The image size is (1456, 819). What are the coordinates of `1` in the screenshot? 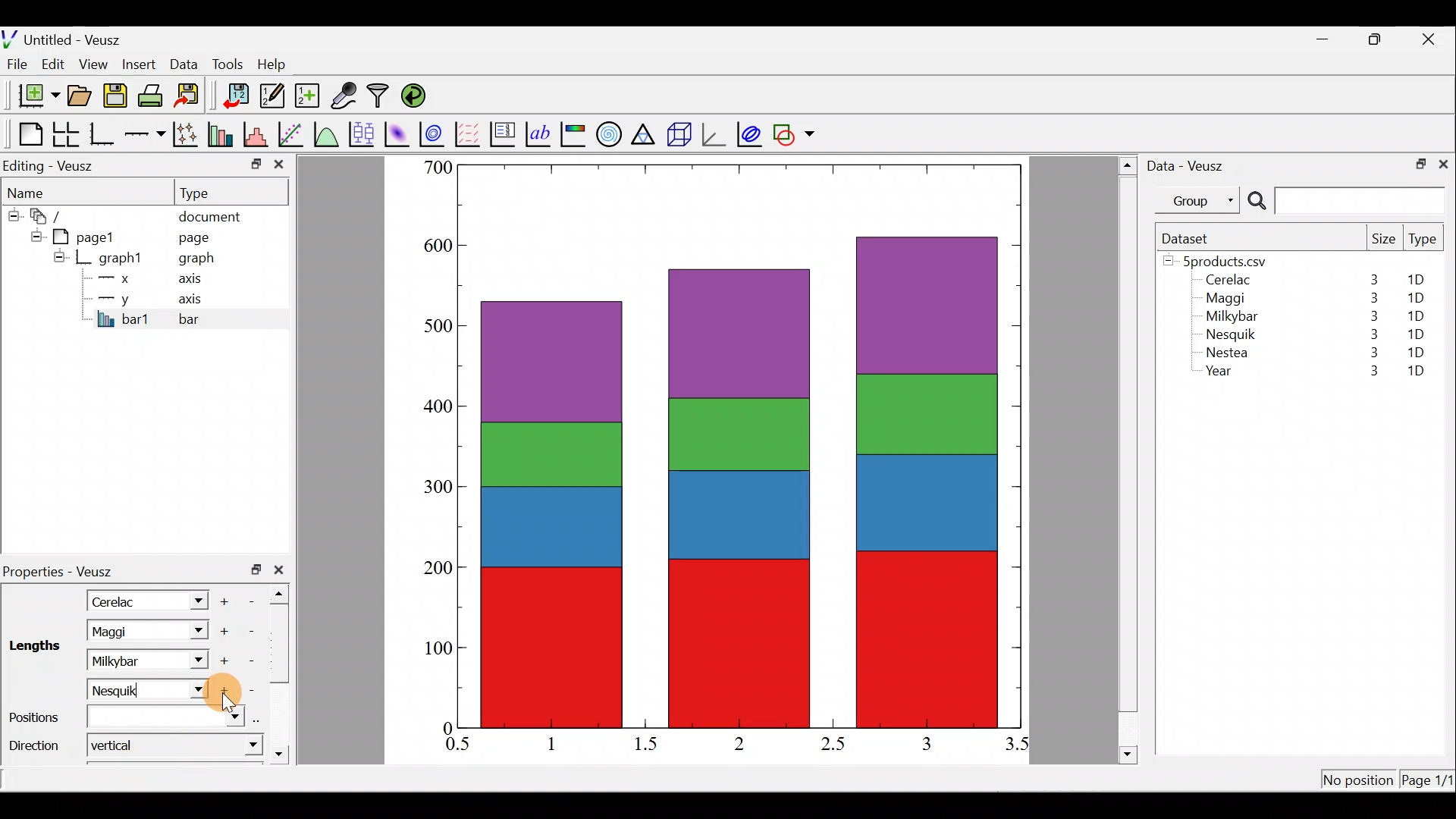 It's located at (563, 743).